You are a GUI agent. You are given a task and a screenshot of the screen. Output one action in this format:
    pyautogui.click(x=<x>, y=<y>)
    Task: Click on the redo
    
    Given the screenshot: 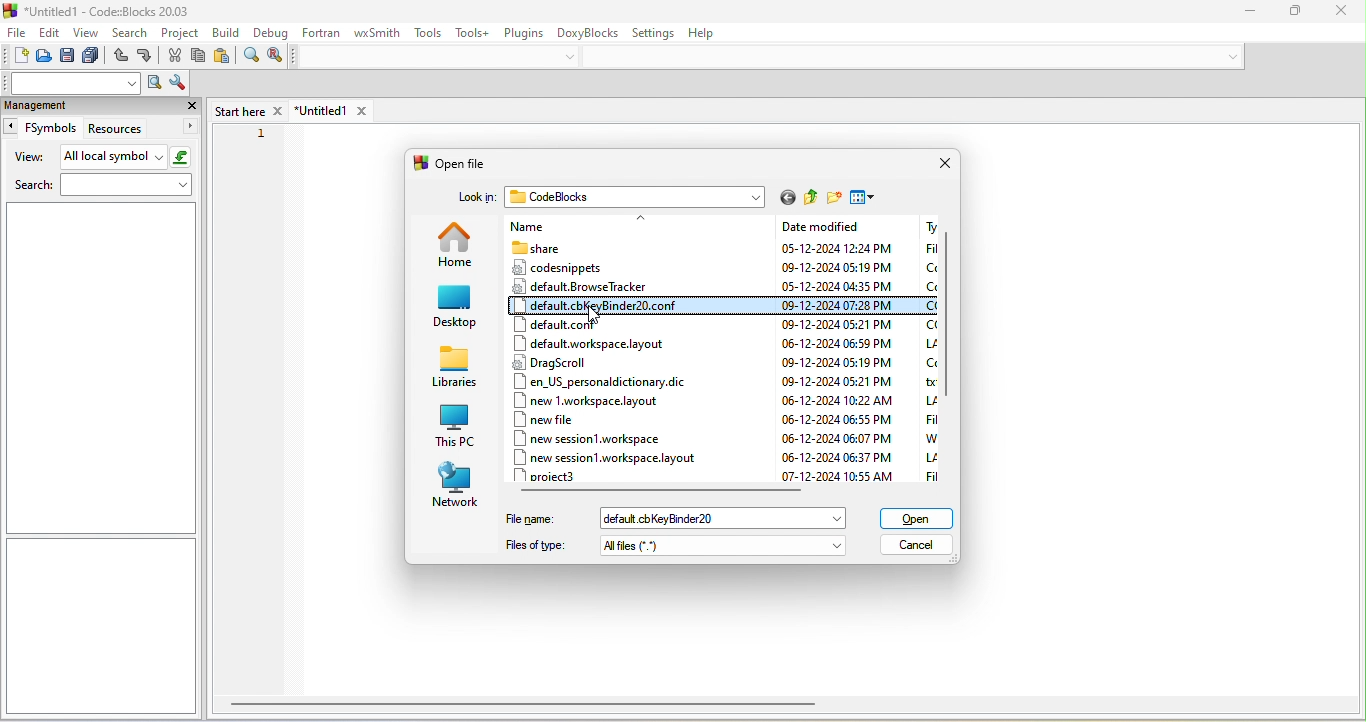 What is the action you would take?
    pyautogui.click(x=148, y=57)
    